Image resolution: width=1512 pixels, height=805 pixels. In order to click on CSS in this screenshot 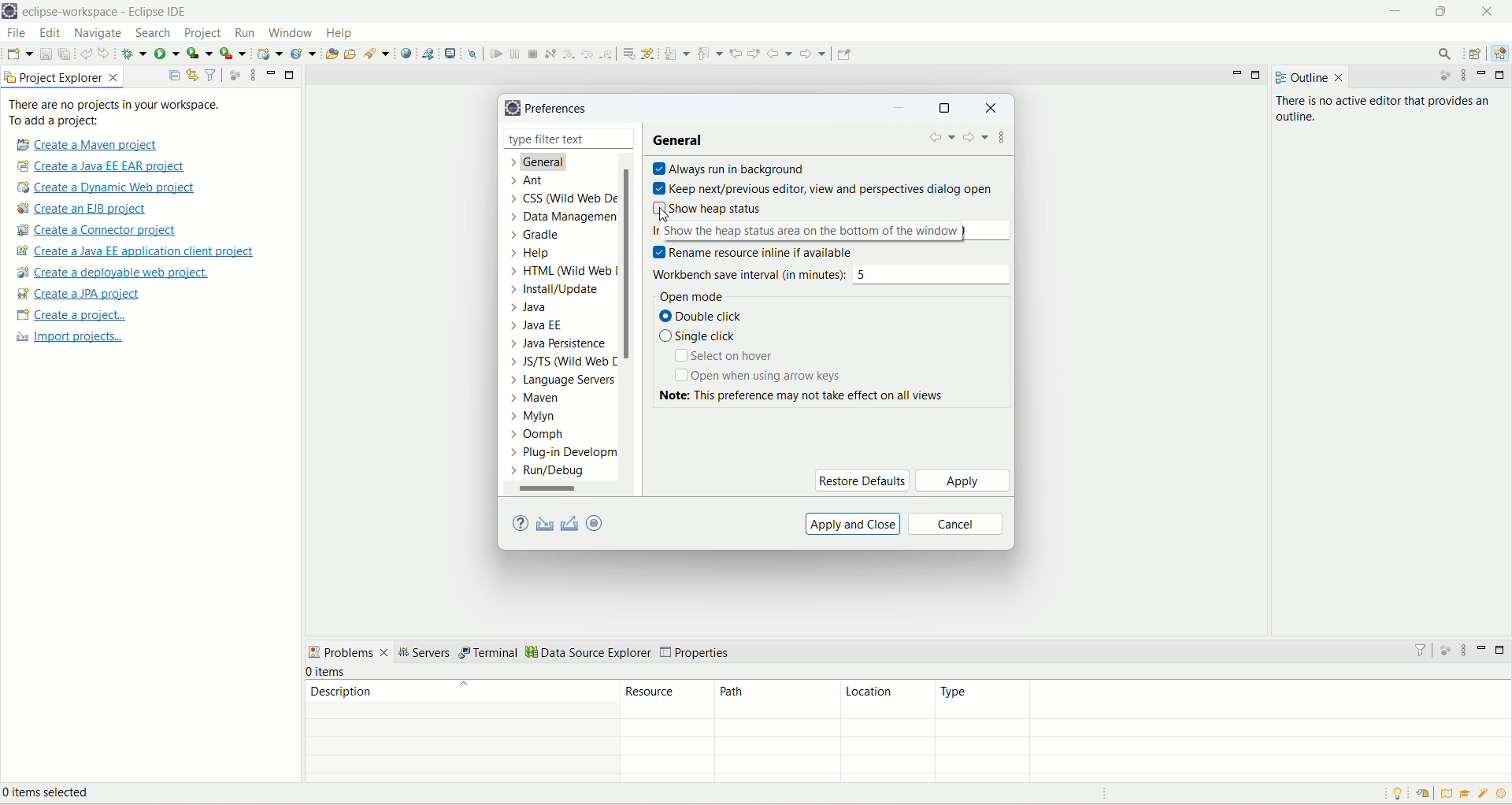, I will do `click(561, 201)`.